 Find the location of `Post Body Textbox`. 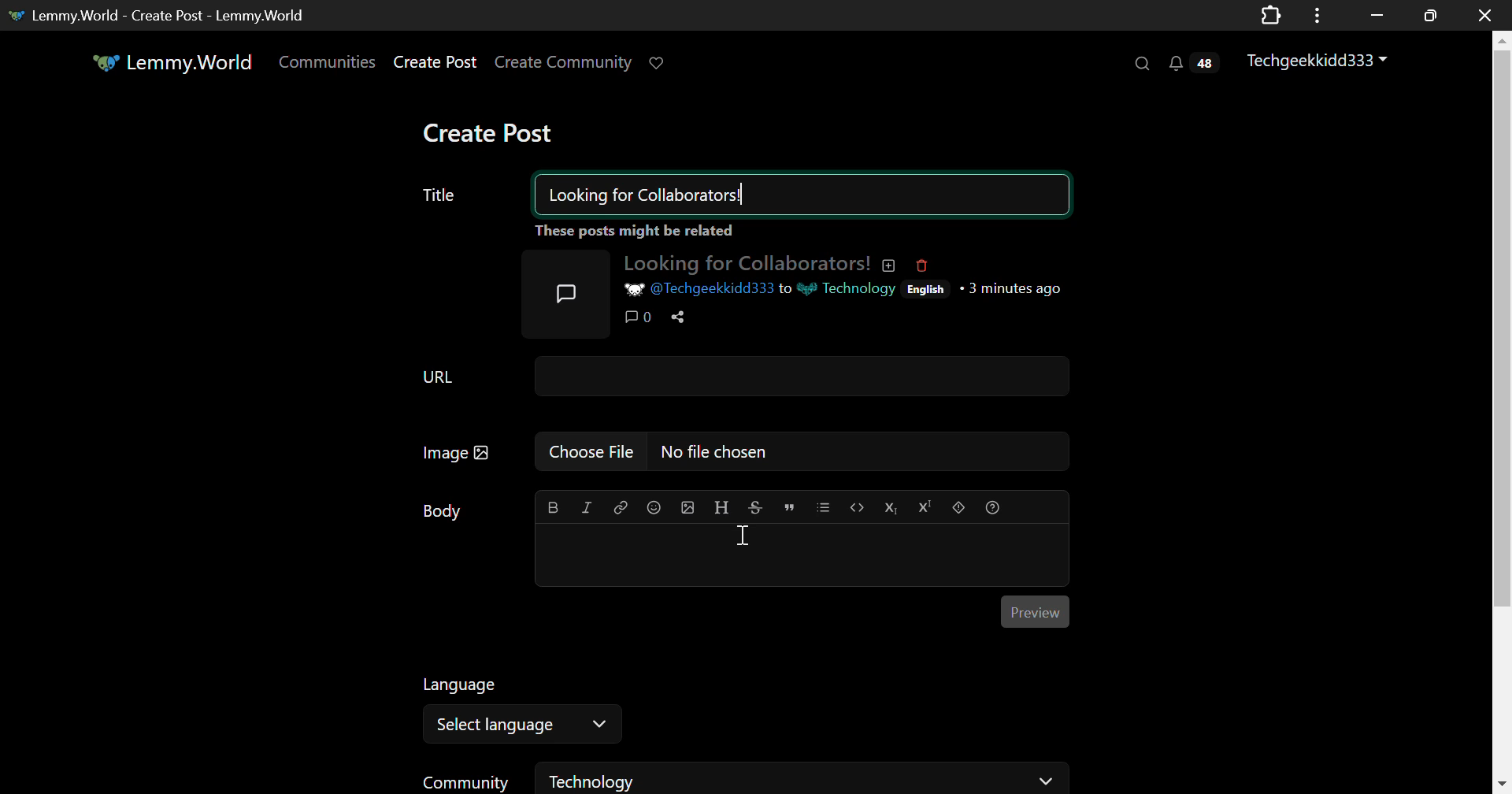

Post Body Textbox is located at coordinates (805, 558).